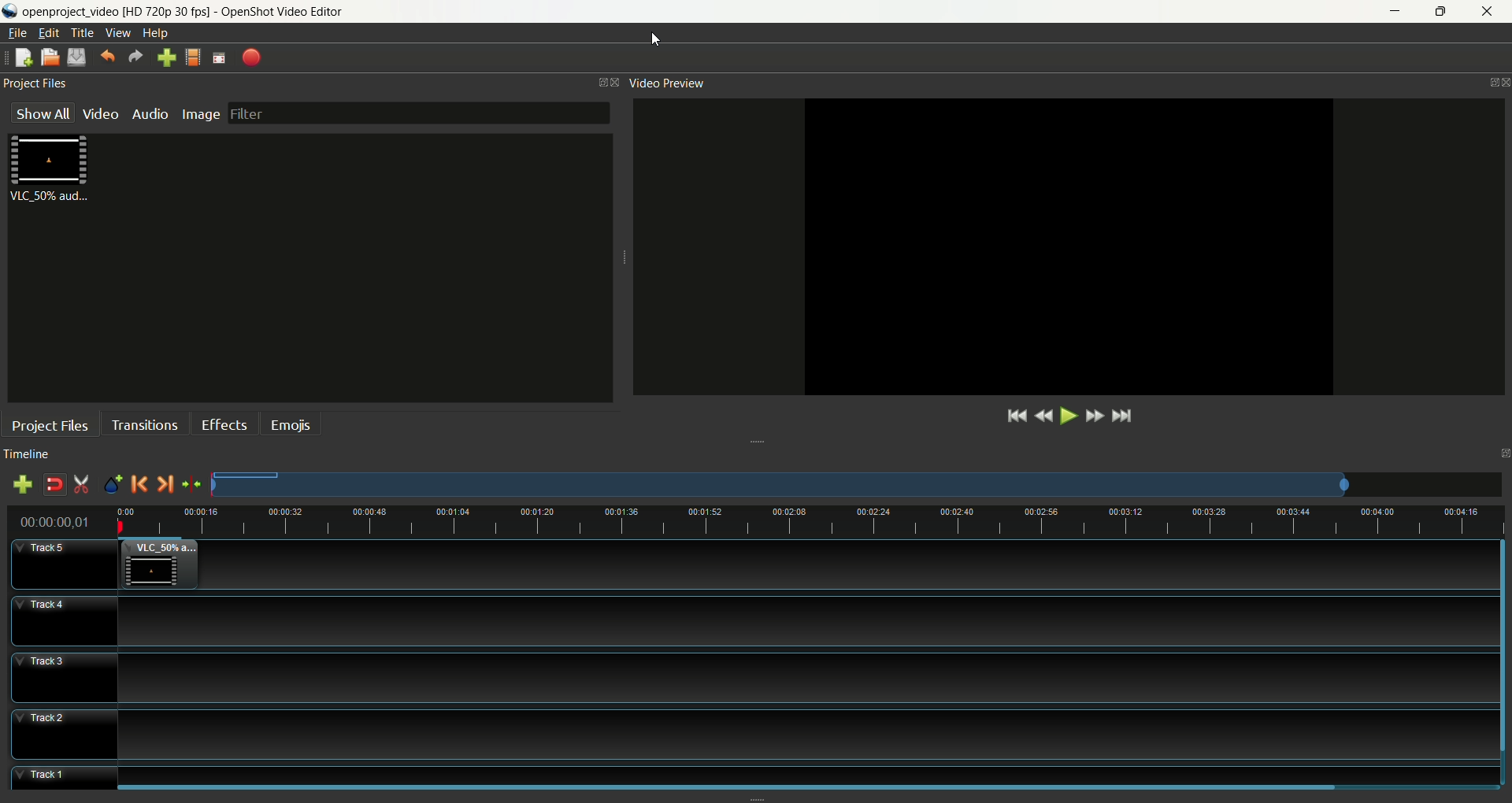 The height and width of the screenshot is (803, 1512). What do you see at coordinates (1443, 12) in the screenshot?
I see `maximize` at bounding box center [1443, 12].